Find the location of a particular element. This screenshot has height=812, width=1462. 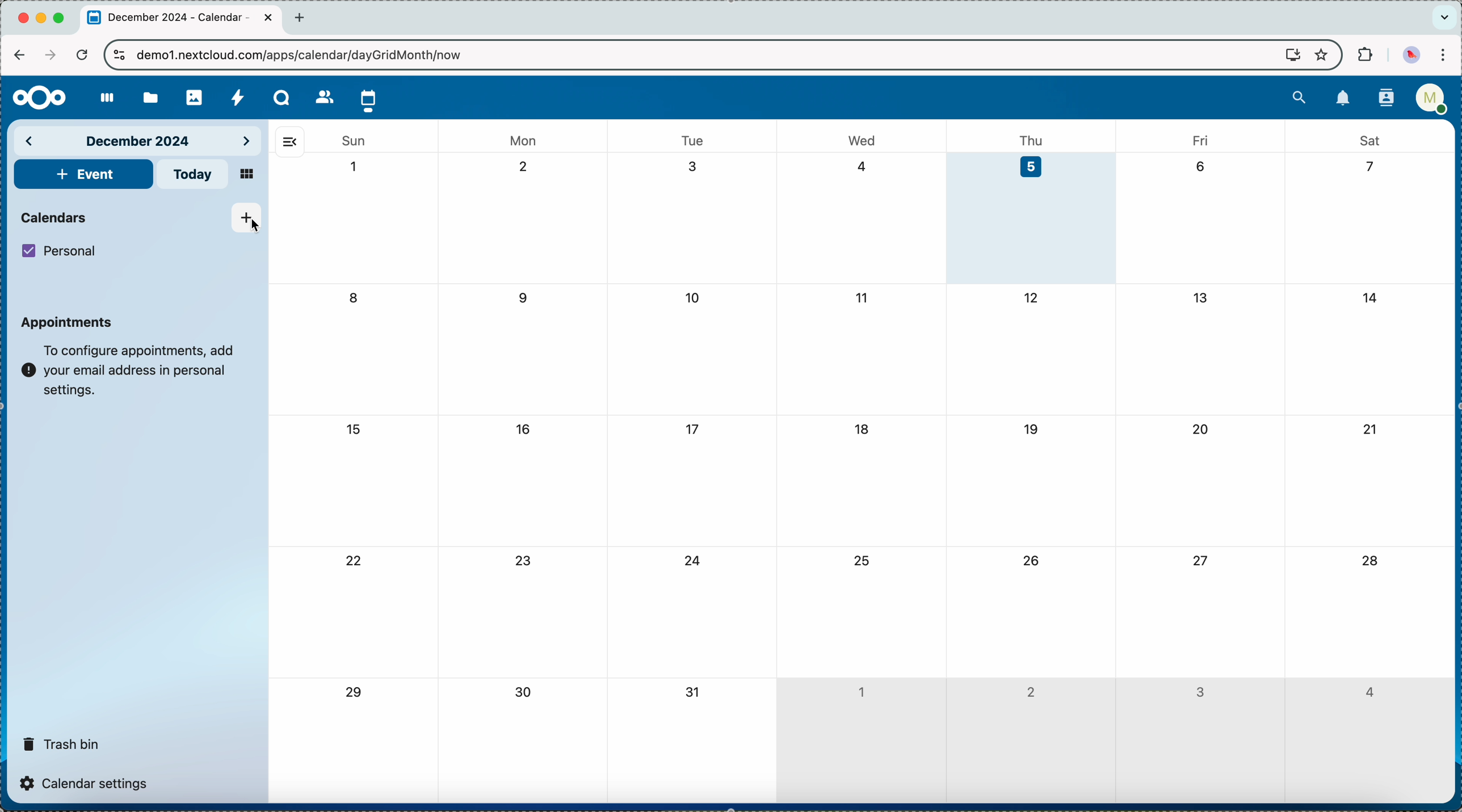

maximize is located at coordinates (61, 18).